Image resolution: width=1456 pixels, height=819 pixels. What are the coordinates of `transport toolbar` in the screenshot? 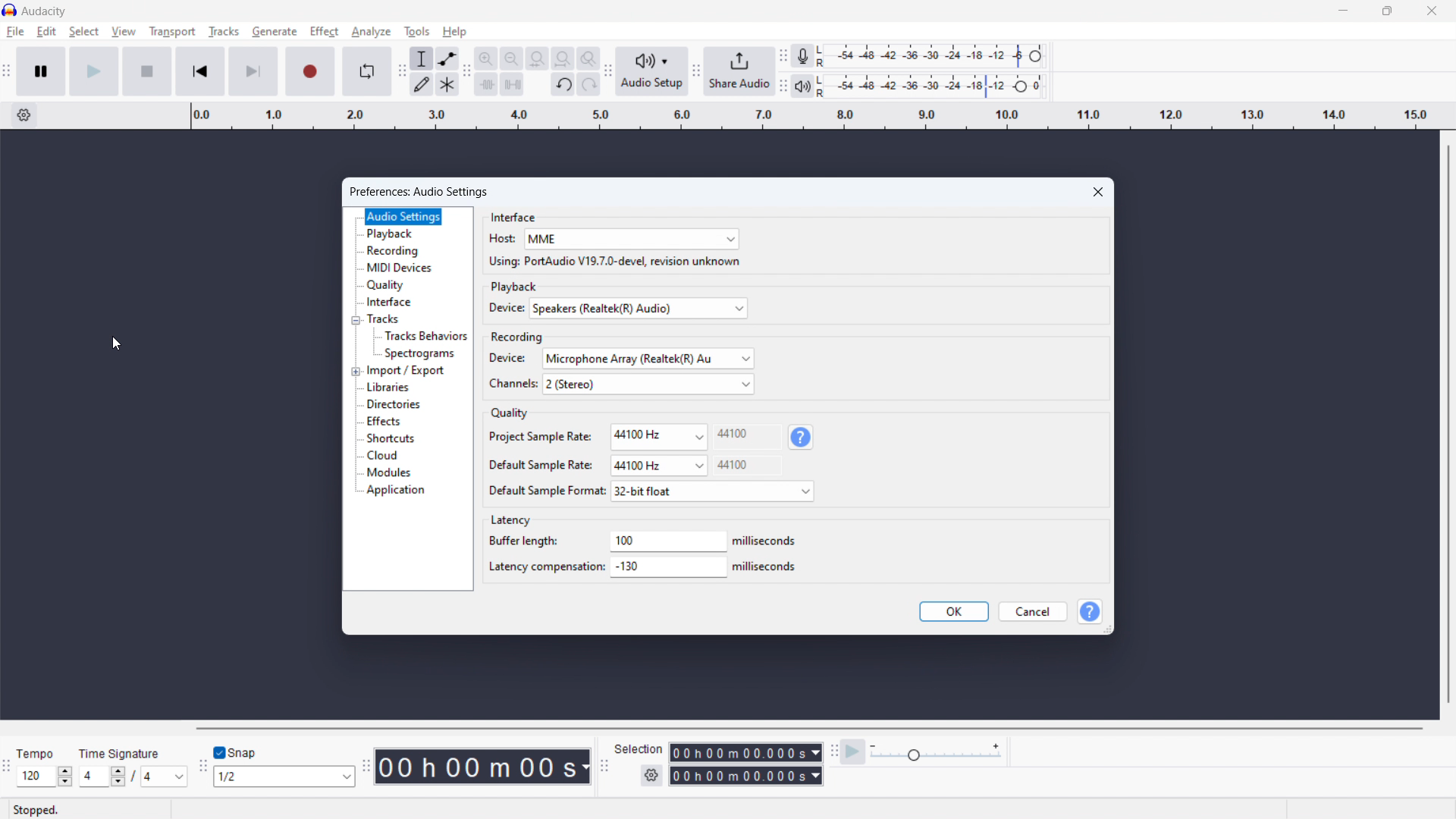 It's located at (7, 73).